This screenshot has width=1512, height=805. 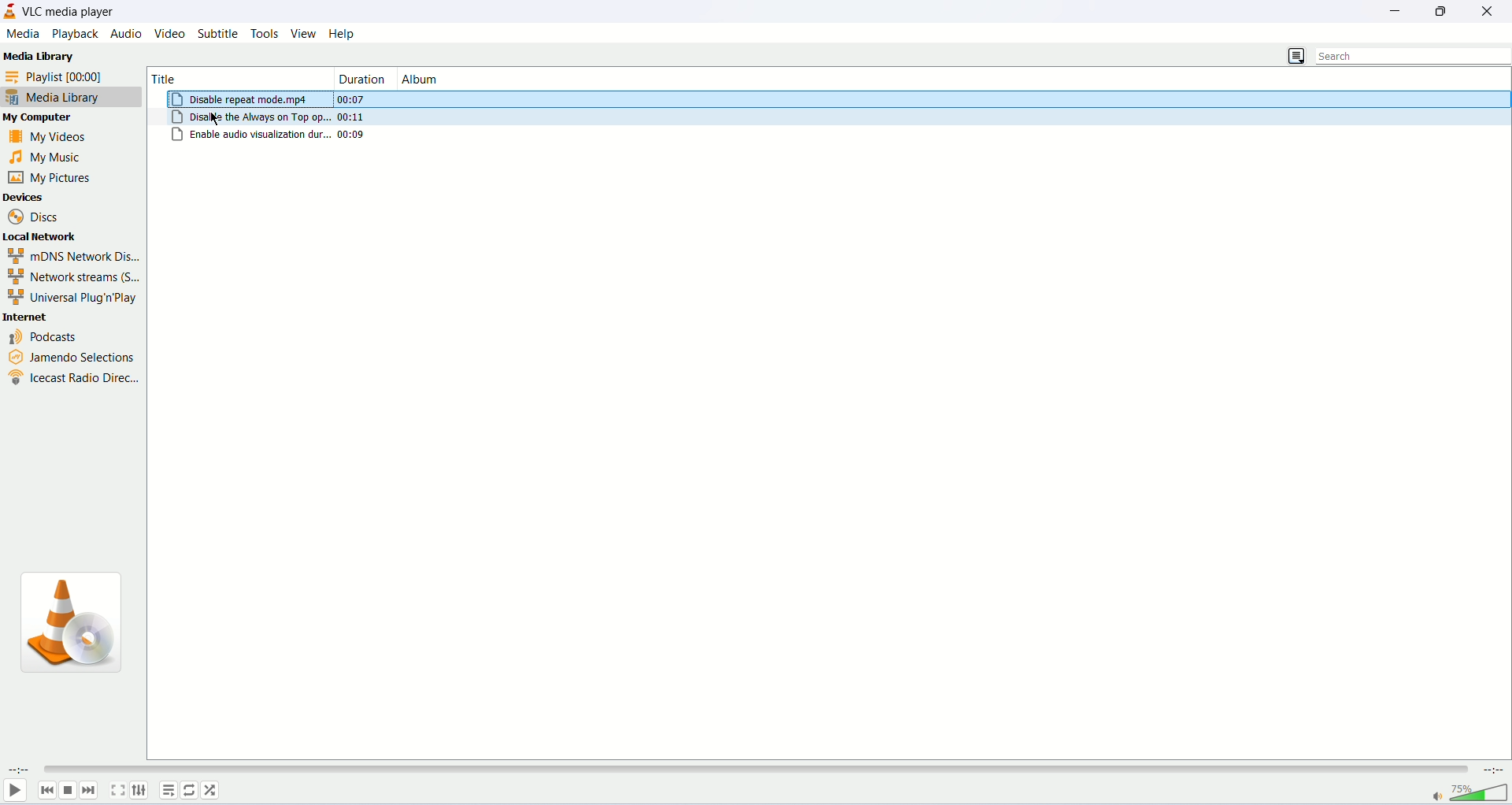 I want to click on my pictures, so click(x=50, y=177).